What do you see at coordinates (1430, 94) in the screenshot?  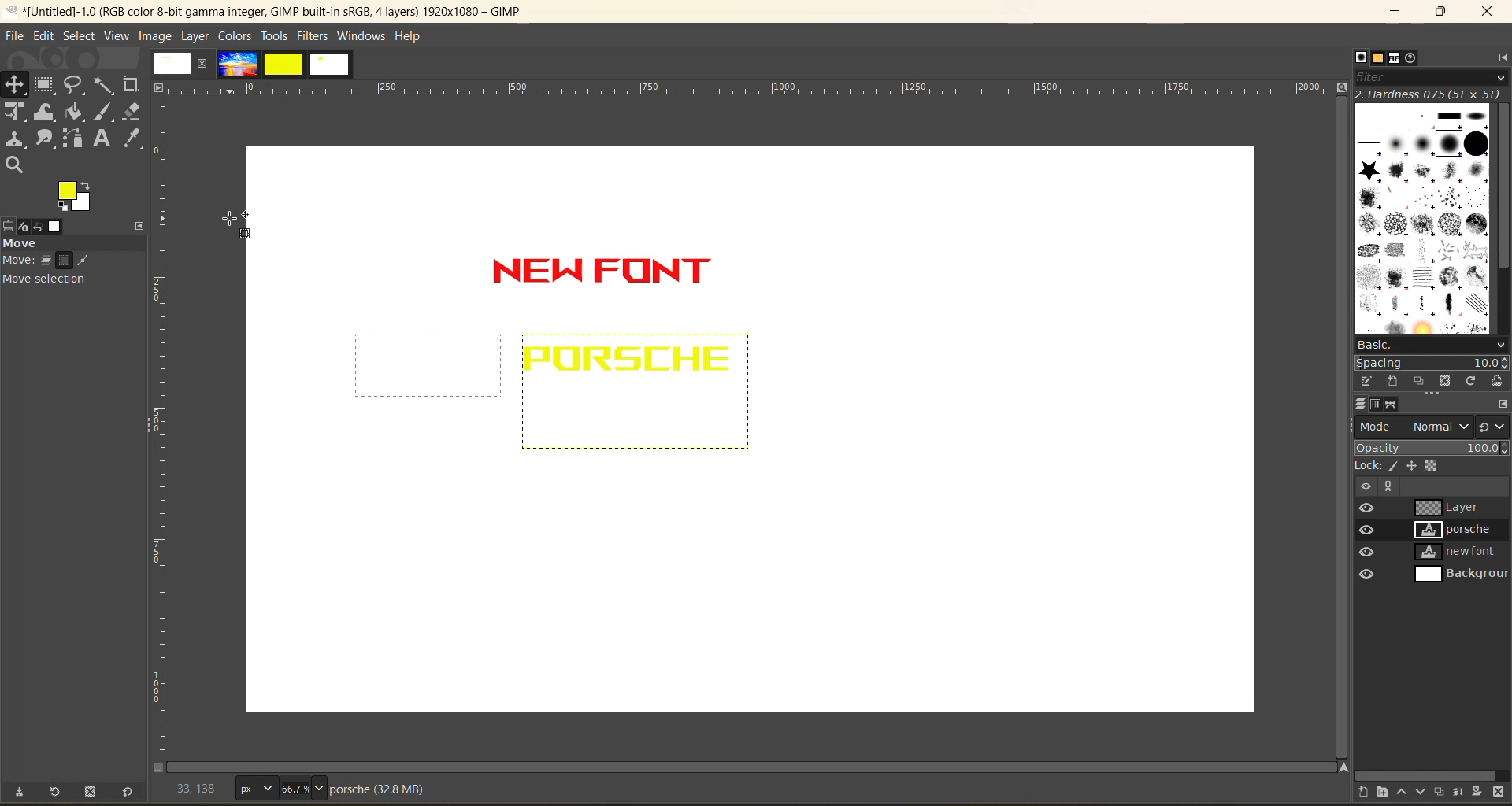 I see `hardness` at bounding box center [1430, 94].